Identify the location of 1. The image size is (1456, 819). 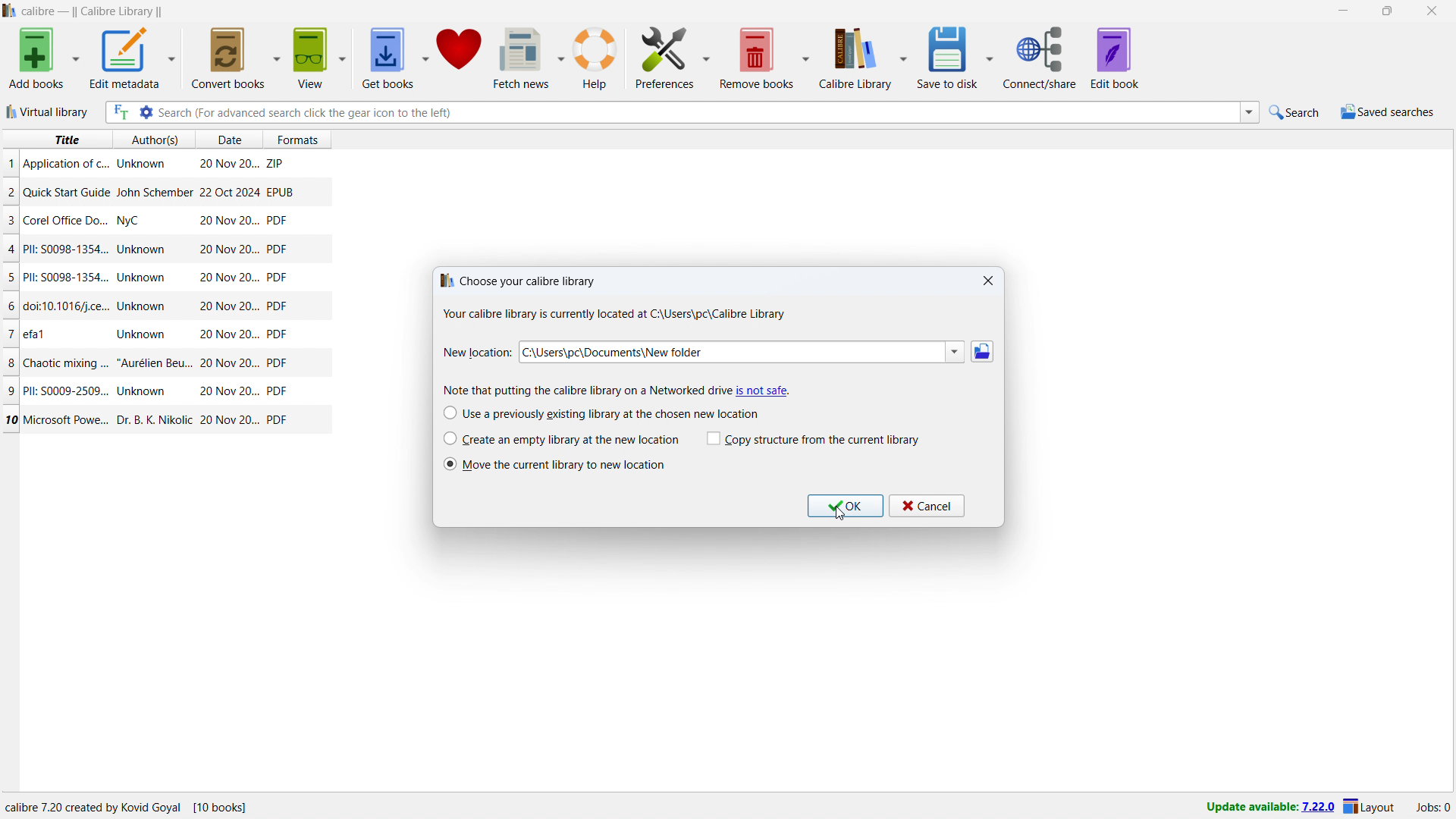
(11, 163).